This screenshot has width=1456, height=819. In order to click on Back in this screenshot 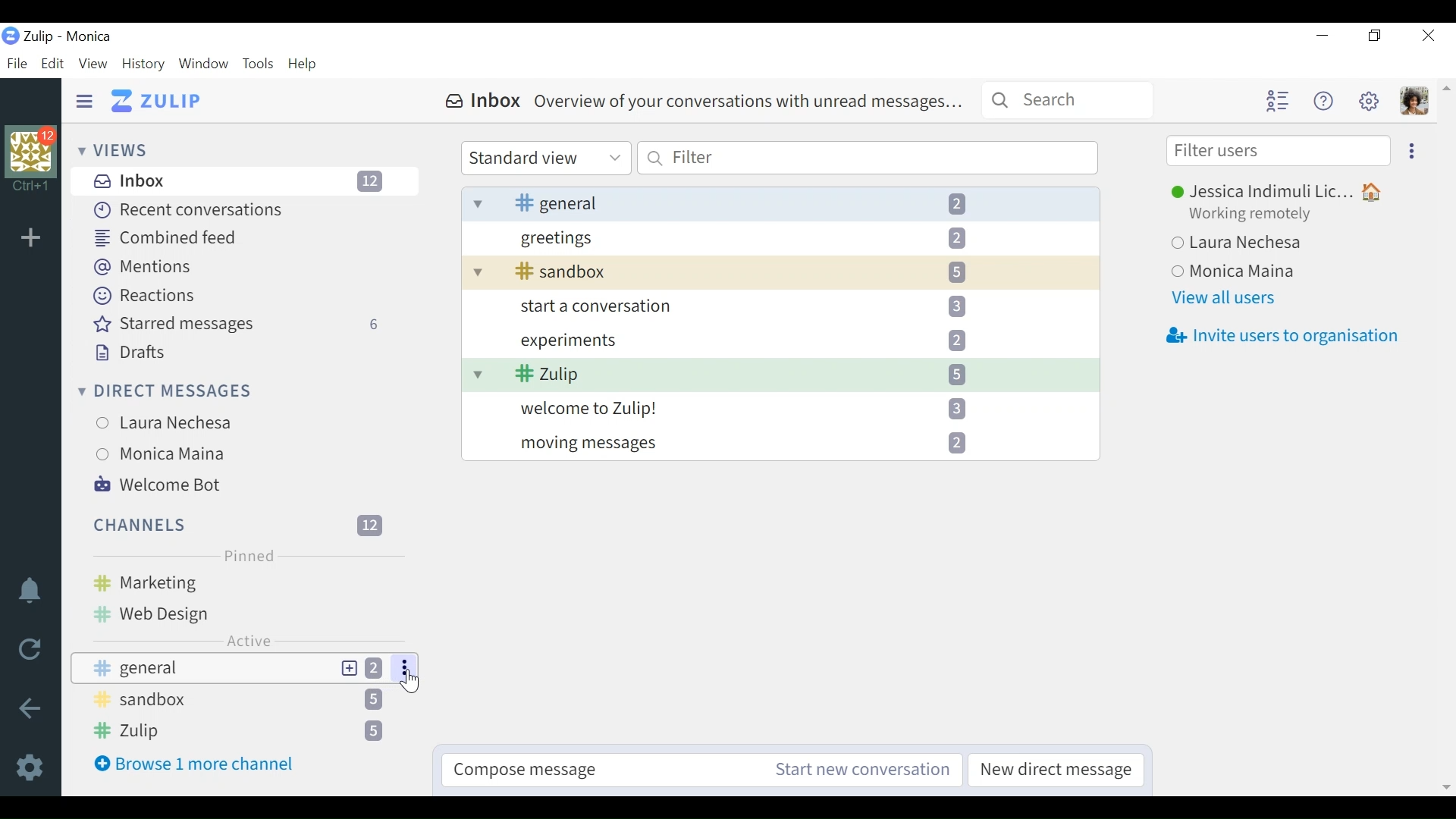, I will do `click(30, 710)`.